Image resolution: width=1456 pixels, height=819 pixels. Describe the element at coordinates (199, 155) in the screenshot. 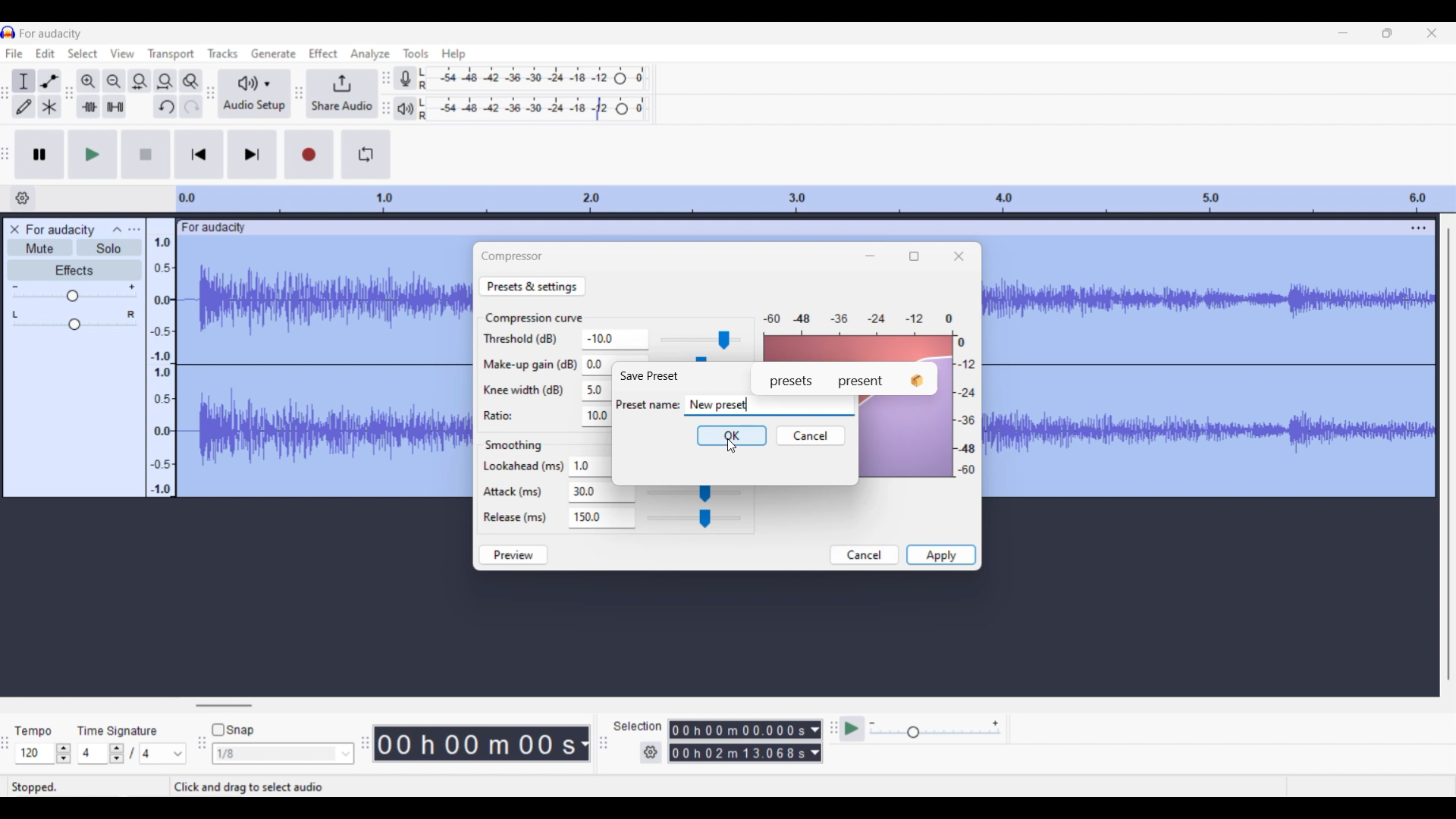

I see `Skip/Select to start` at that location.